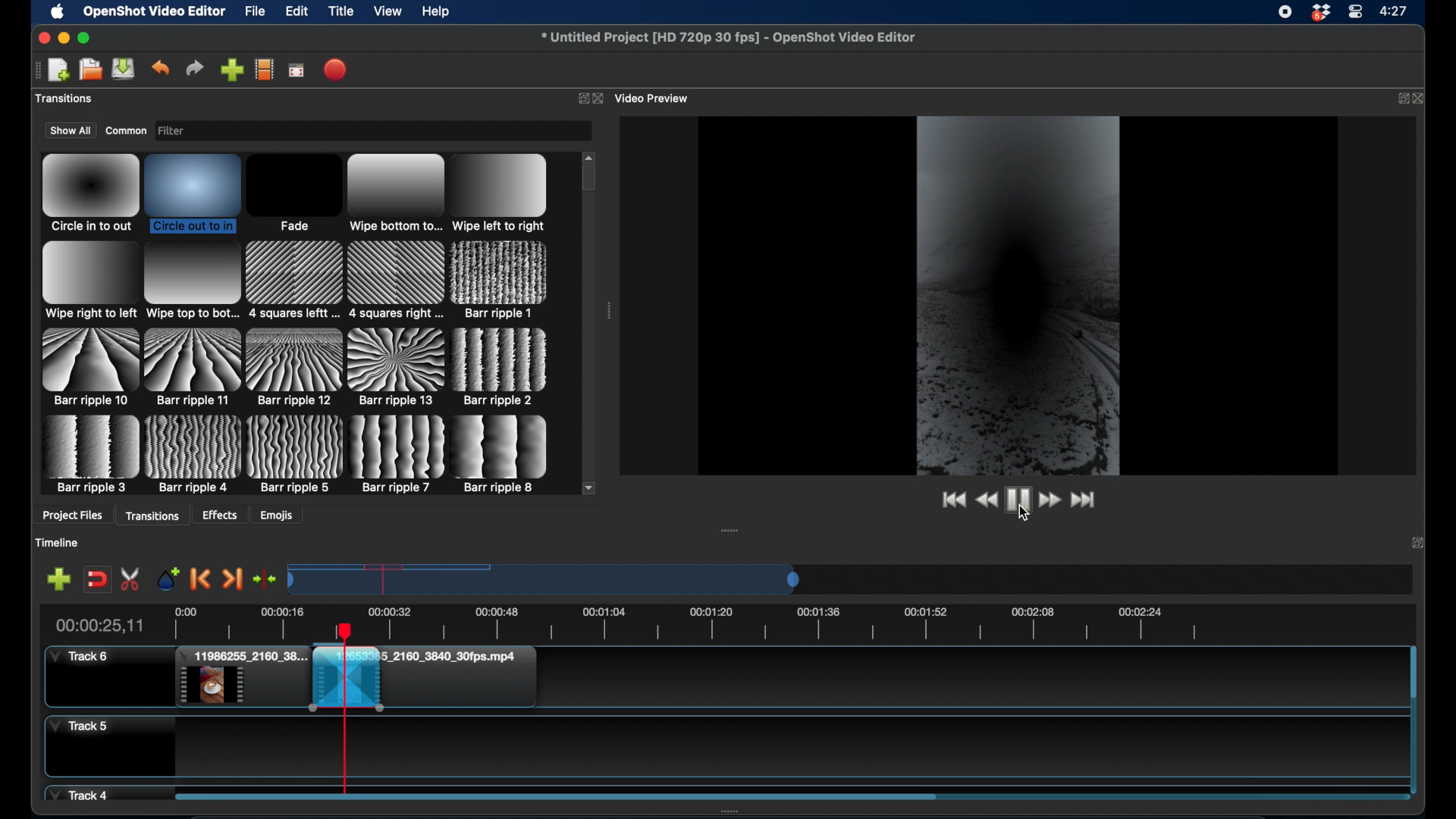 This screenshot has height=819, width=1456. Describe the element at coordinates (398, 454) in the screenshot. I see `transition` at that location.